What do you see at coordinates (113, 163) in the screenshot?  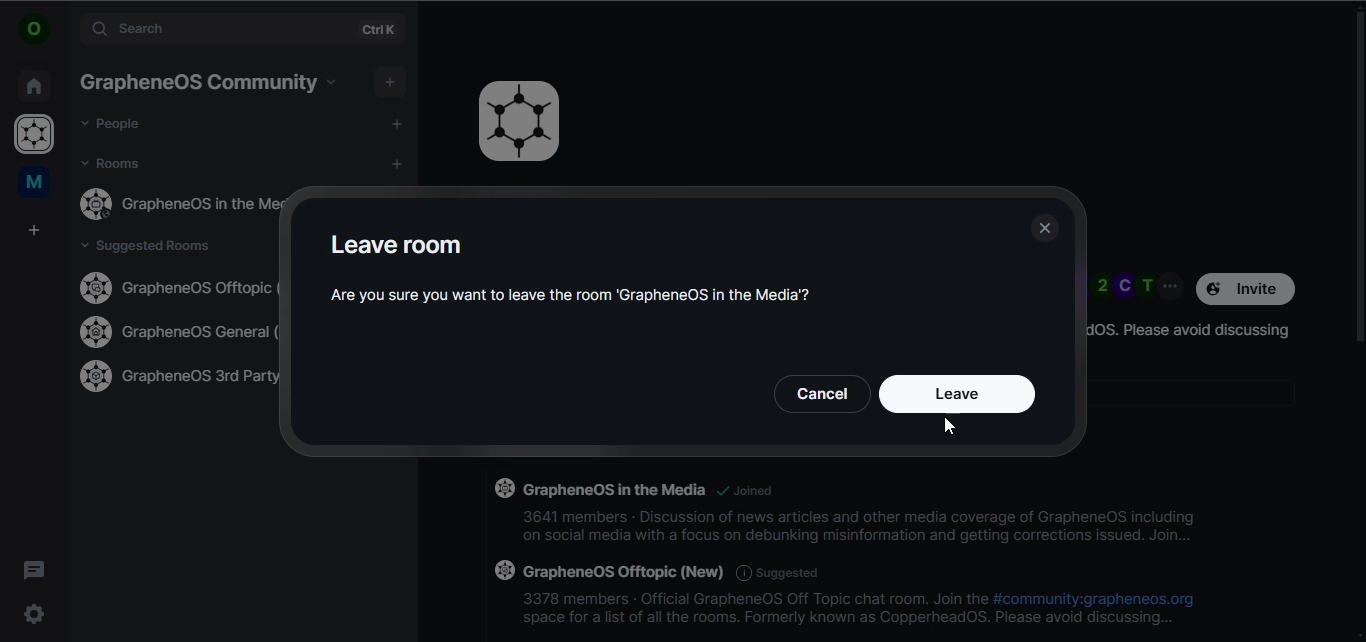 I see `rooms` at bounding box center [113, 163].